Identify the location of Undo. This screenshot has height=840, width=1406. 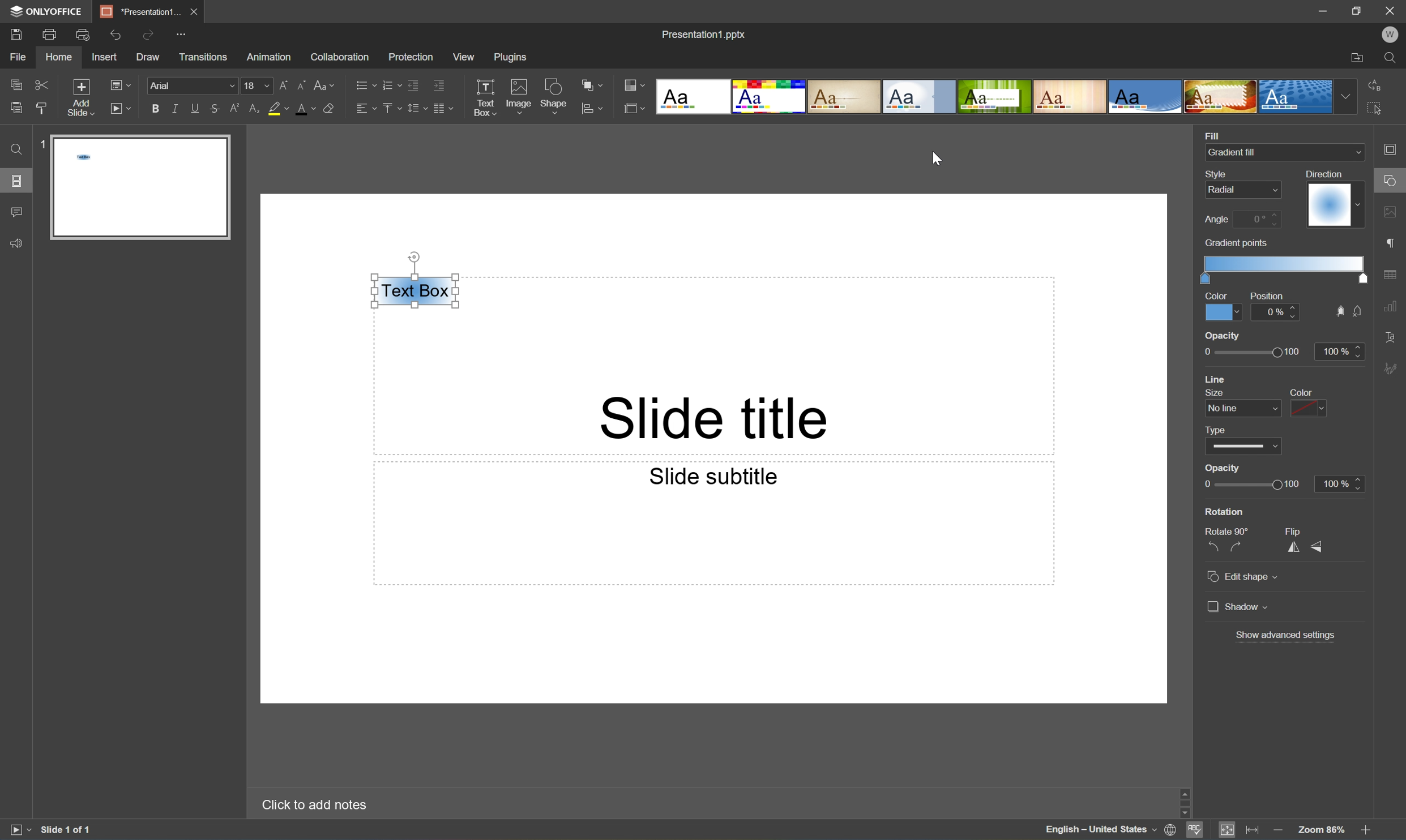
(118, 36).